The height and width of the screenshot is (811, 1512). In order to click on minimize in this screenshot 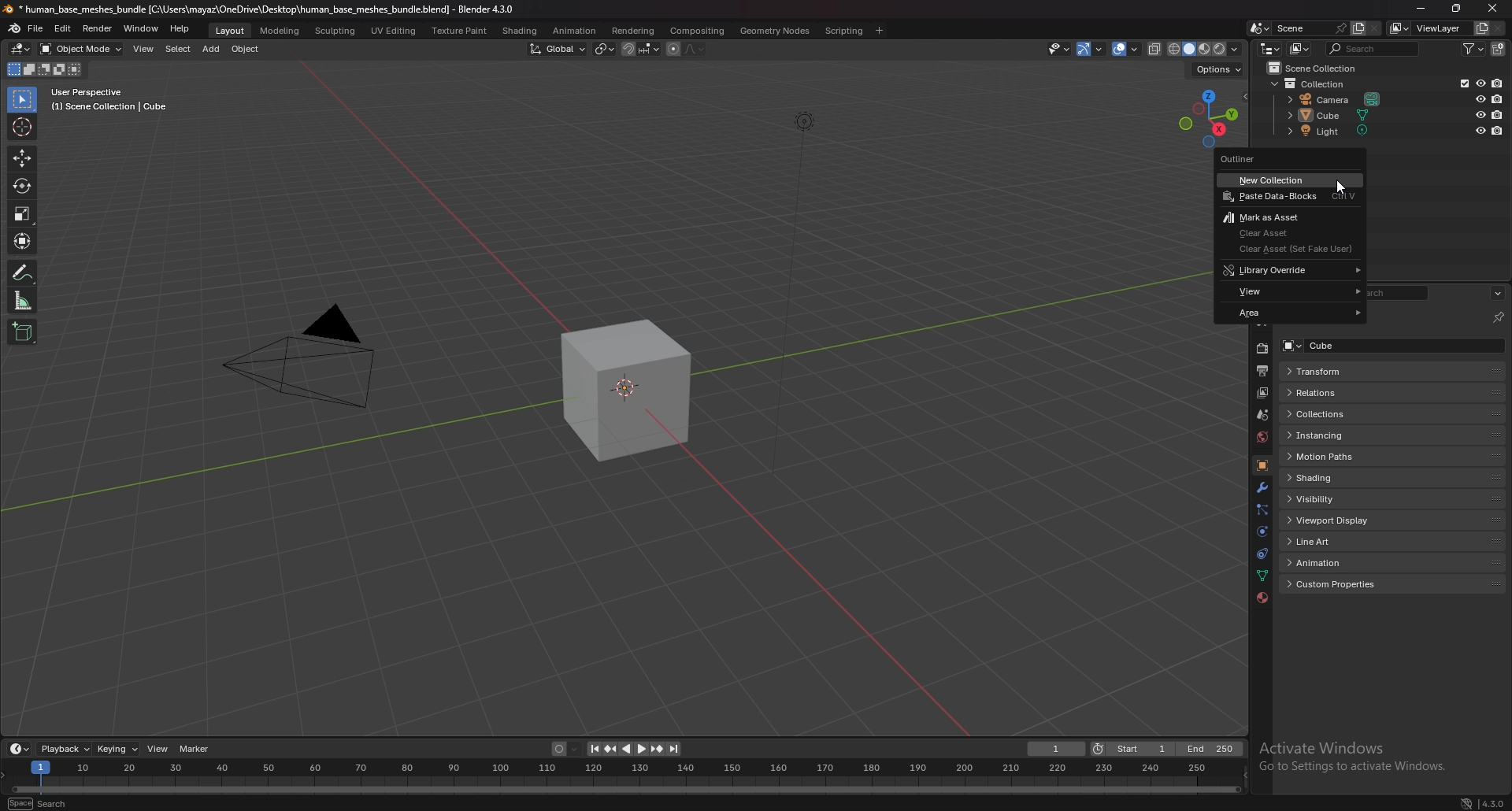, I will do `click(1421, 7)`.